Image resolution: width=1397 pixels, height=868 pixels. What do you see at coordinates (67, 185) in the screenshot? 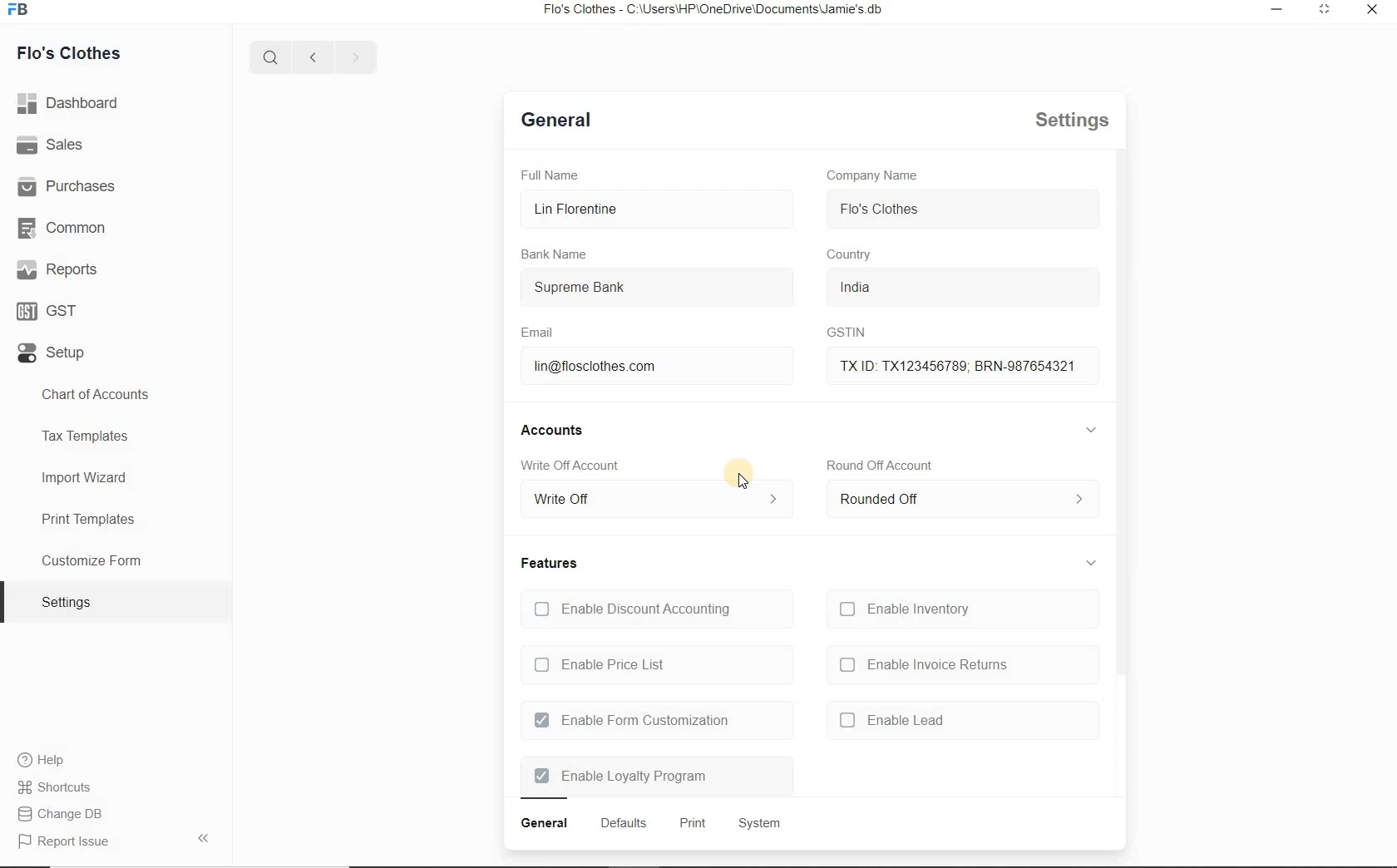
I see `Purchases` at bounding box center [67, 185].